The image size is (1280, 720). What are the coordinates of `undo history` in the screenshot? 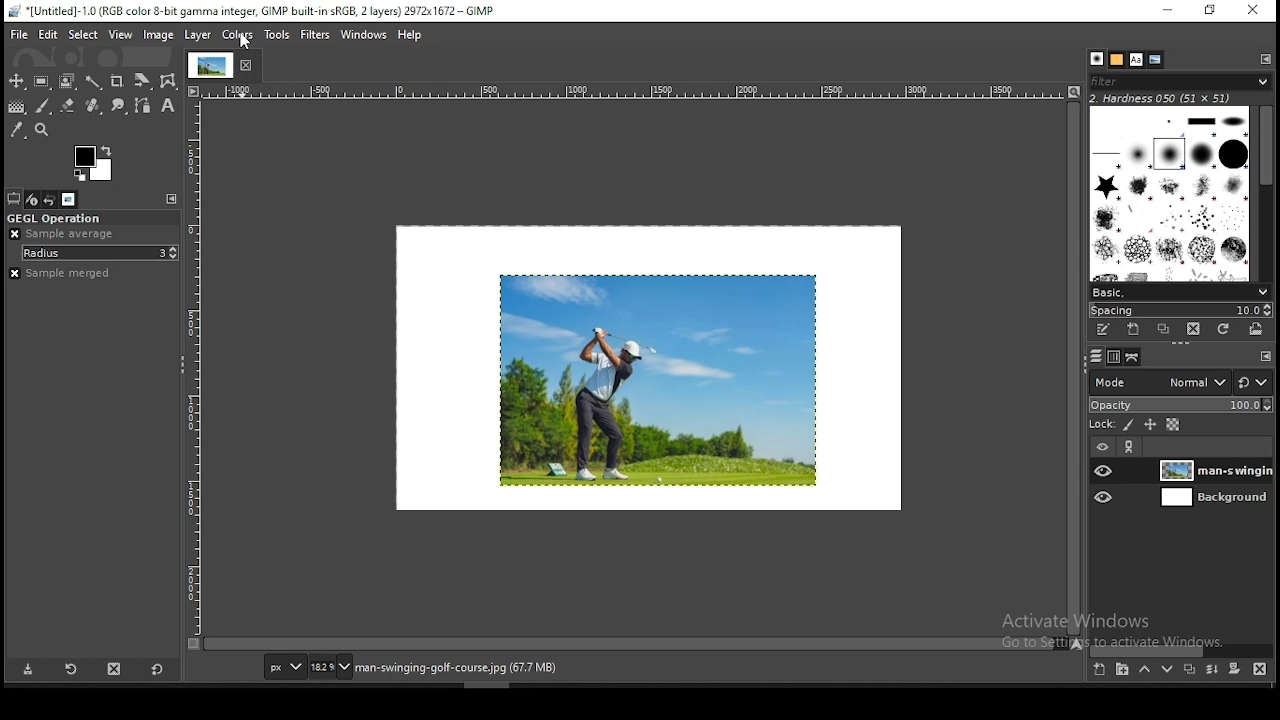 It's located at (52, 200).